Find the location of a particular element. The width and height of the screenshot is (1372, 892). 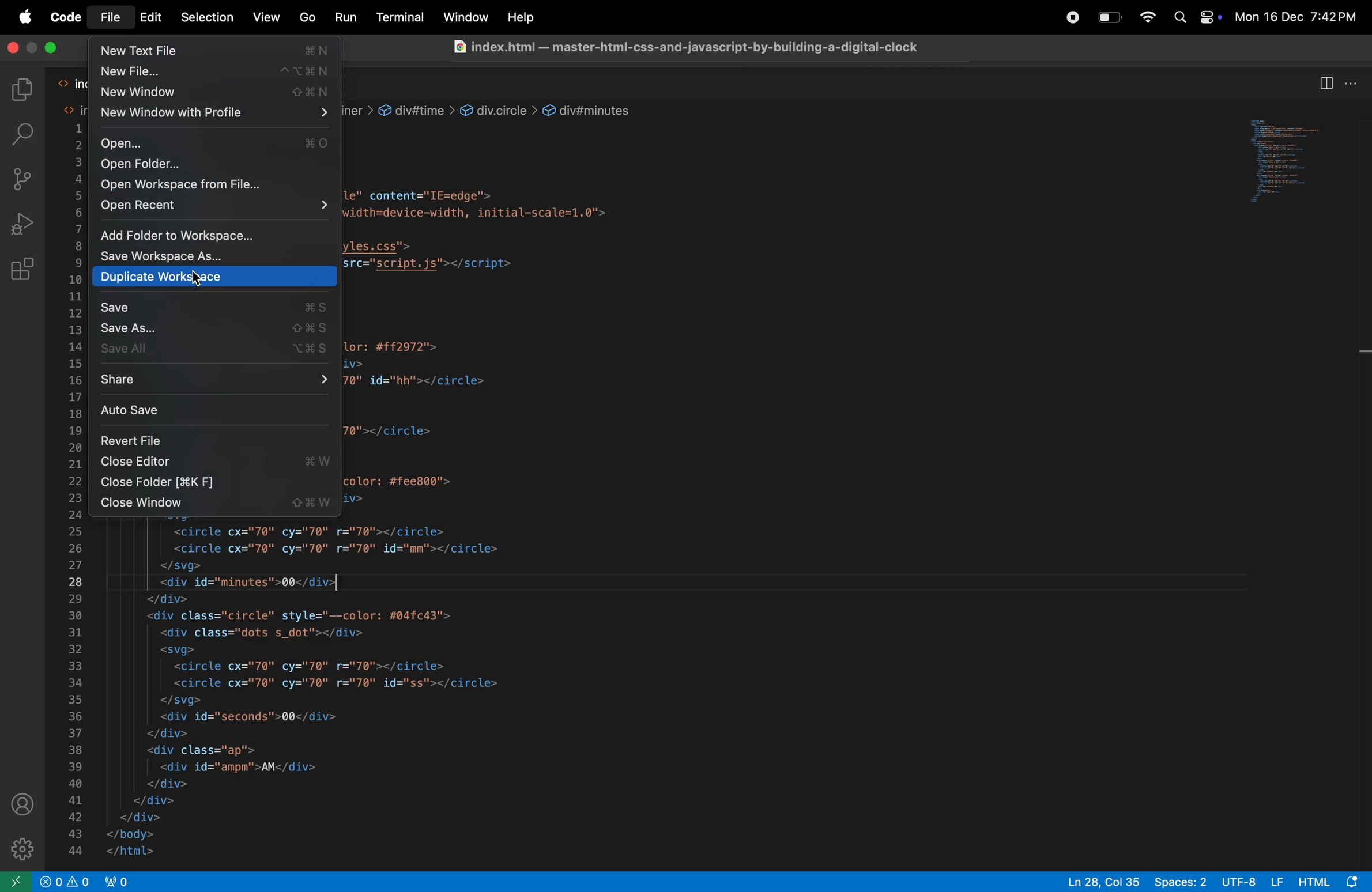

auto save is located at coordinates (216, 414).